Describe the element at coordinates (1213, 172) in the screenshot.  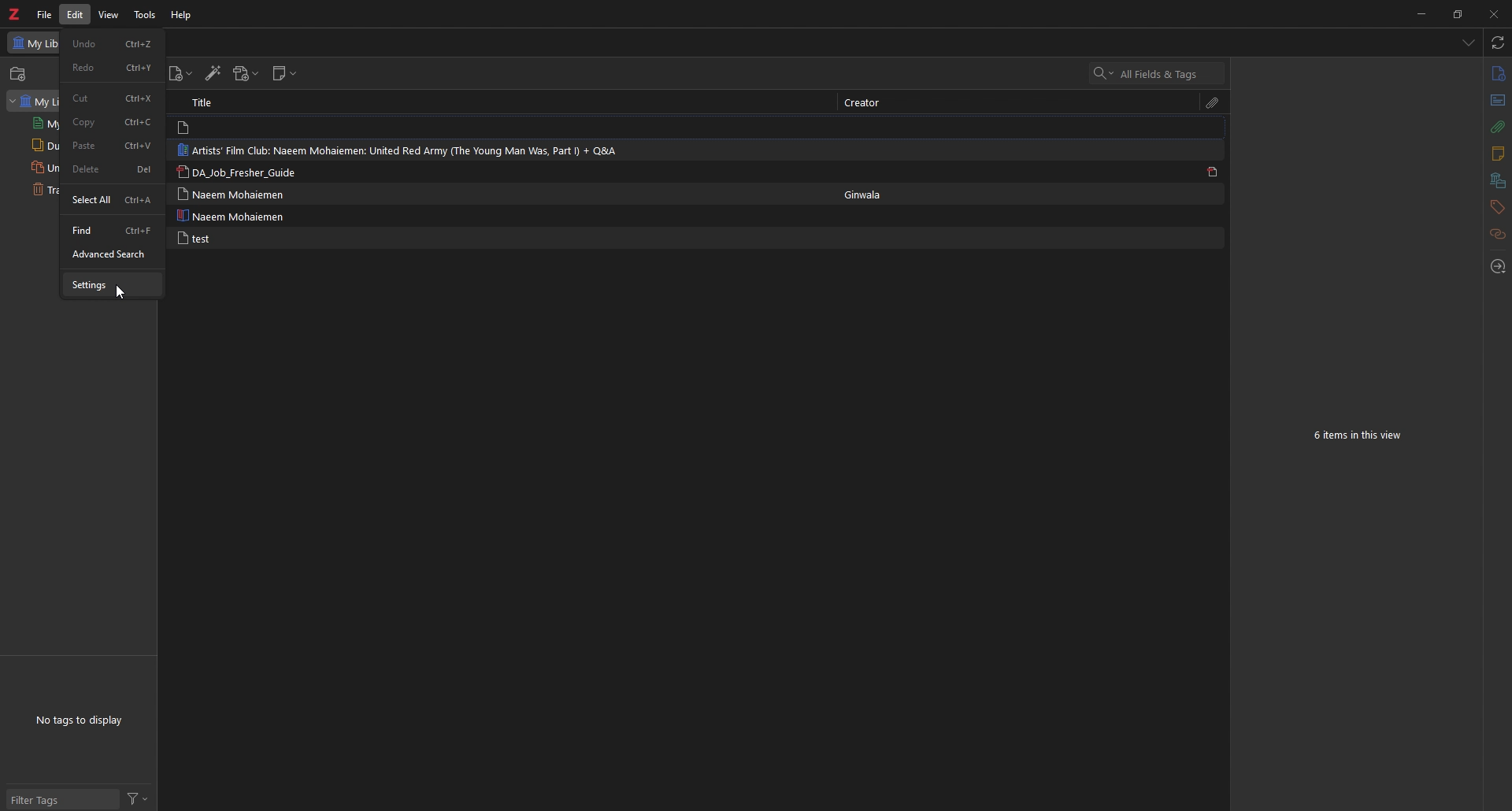
I see `pdf` at that location.